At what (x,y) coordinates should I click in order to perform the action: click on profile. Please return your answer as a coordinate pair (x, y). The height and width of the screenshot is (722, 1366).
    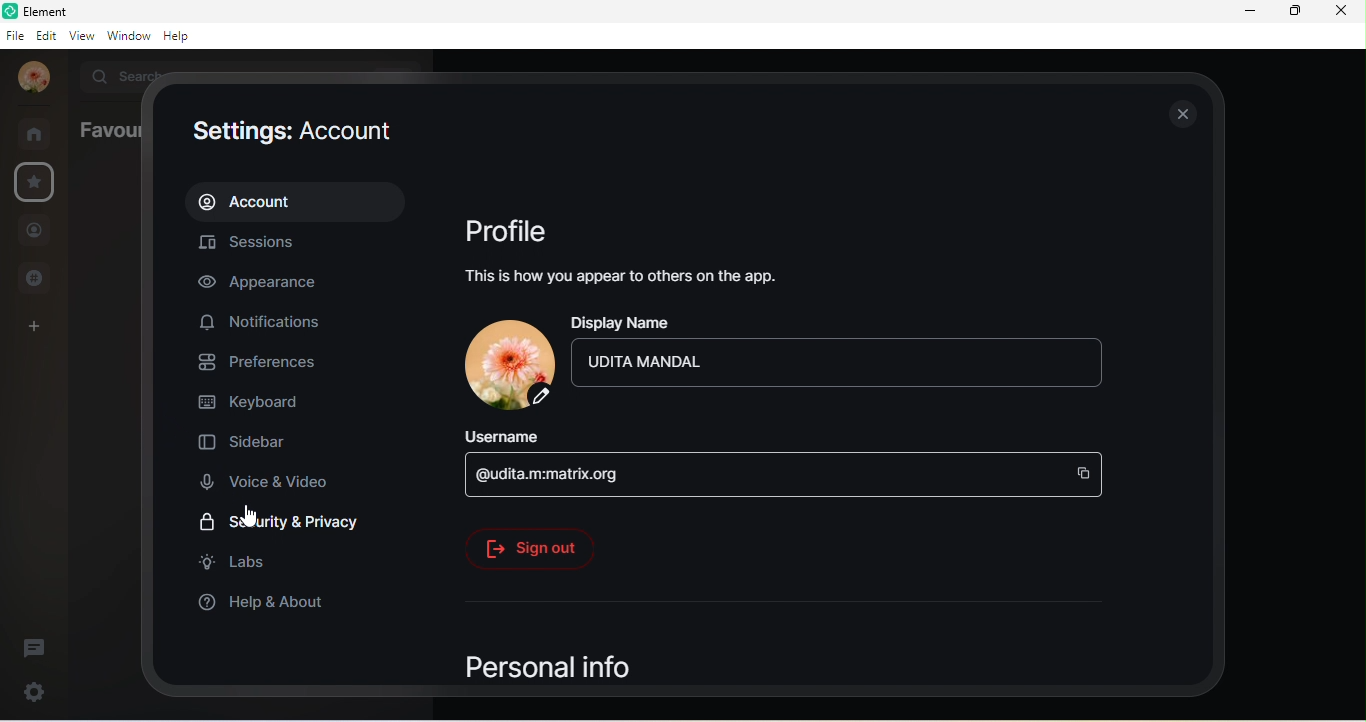
    Looking at the image, I should click on (509, 227).